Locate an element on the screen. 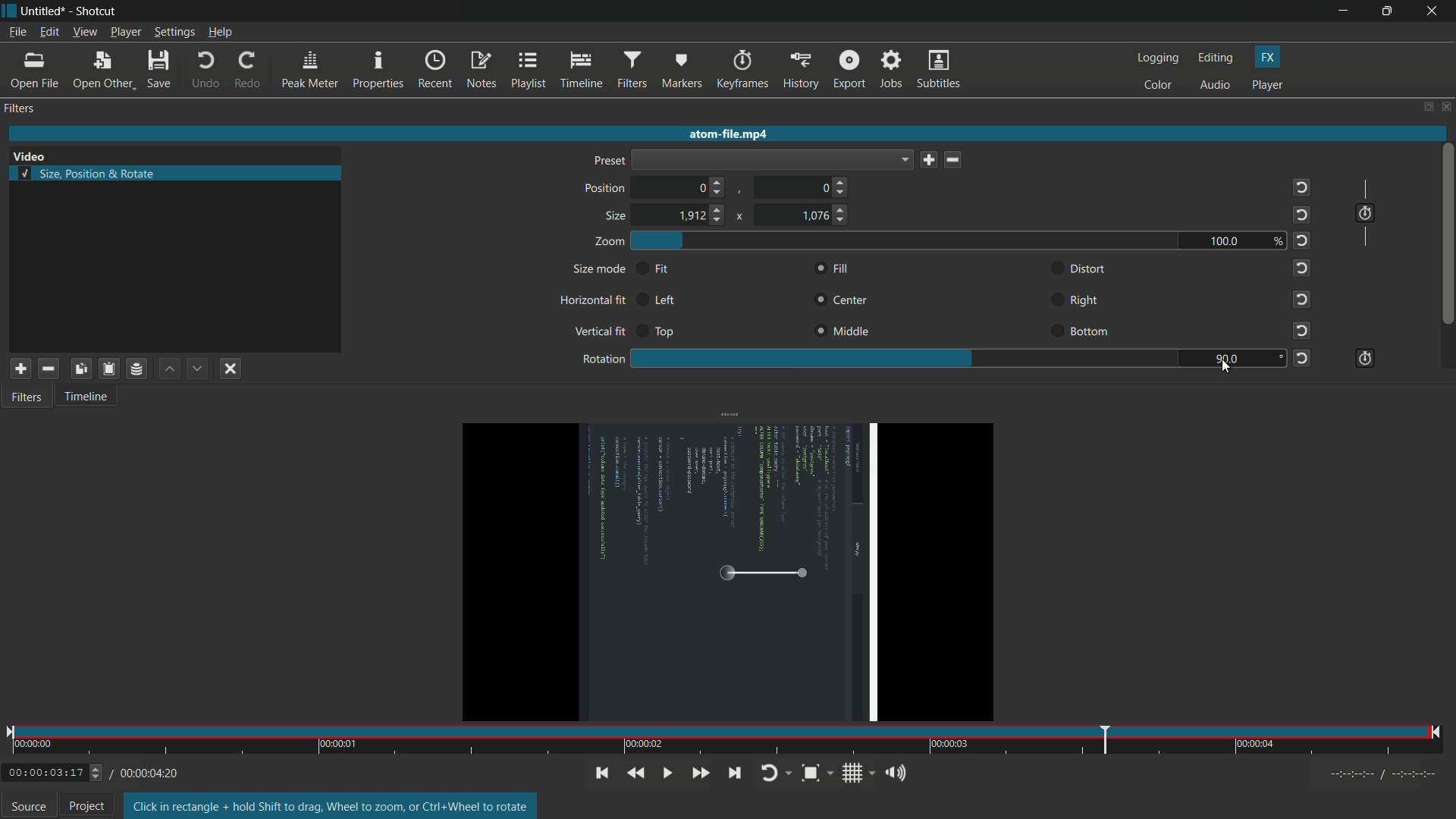 Image resolution: width=1456 pixels, height=819 pixels. undo is located at coordinates (202, 71).